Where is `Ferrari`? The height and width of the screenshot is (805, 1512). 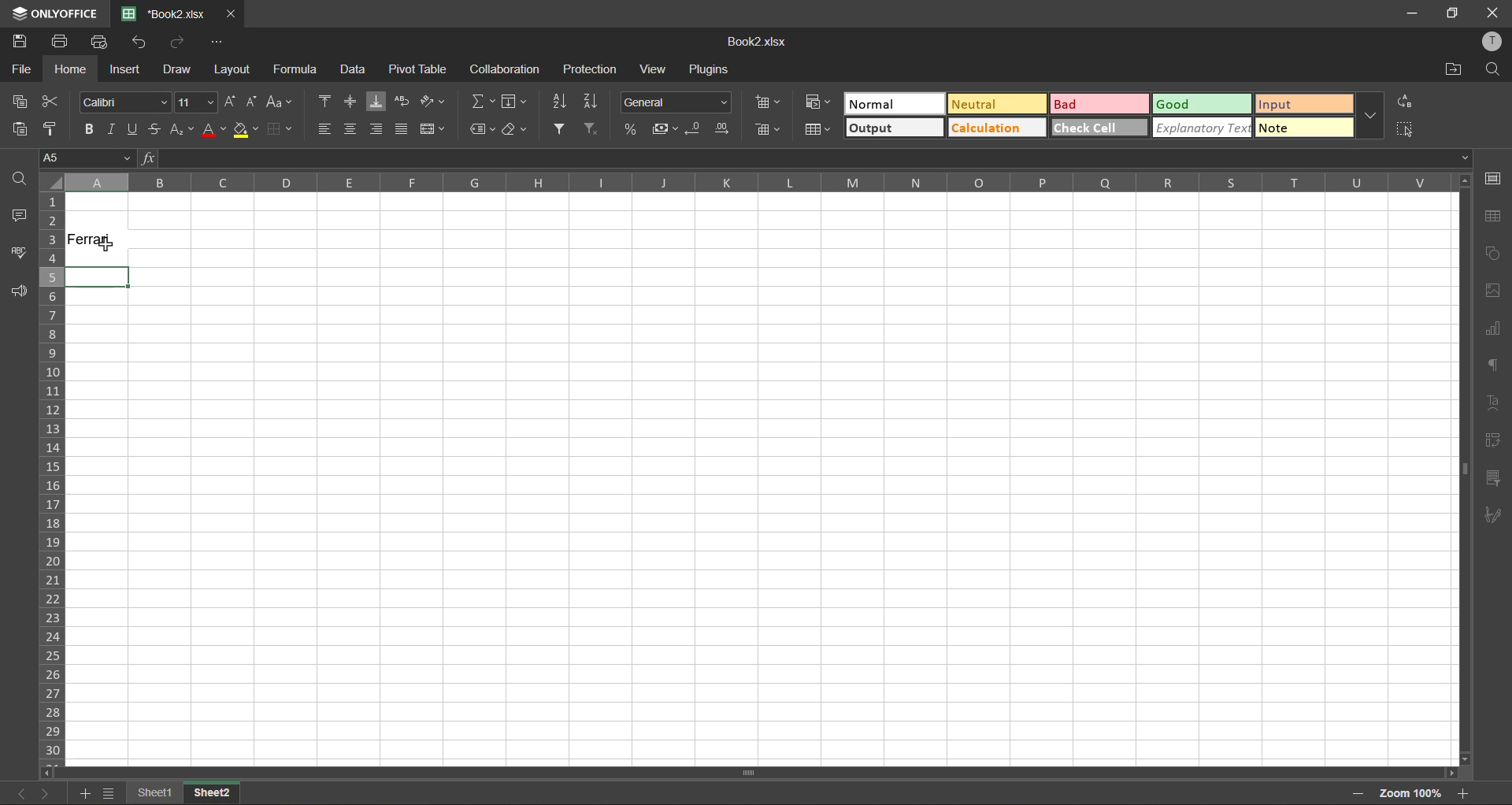
Ferrari is located at coordinates (96, 246).